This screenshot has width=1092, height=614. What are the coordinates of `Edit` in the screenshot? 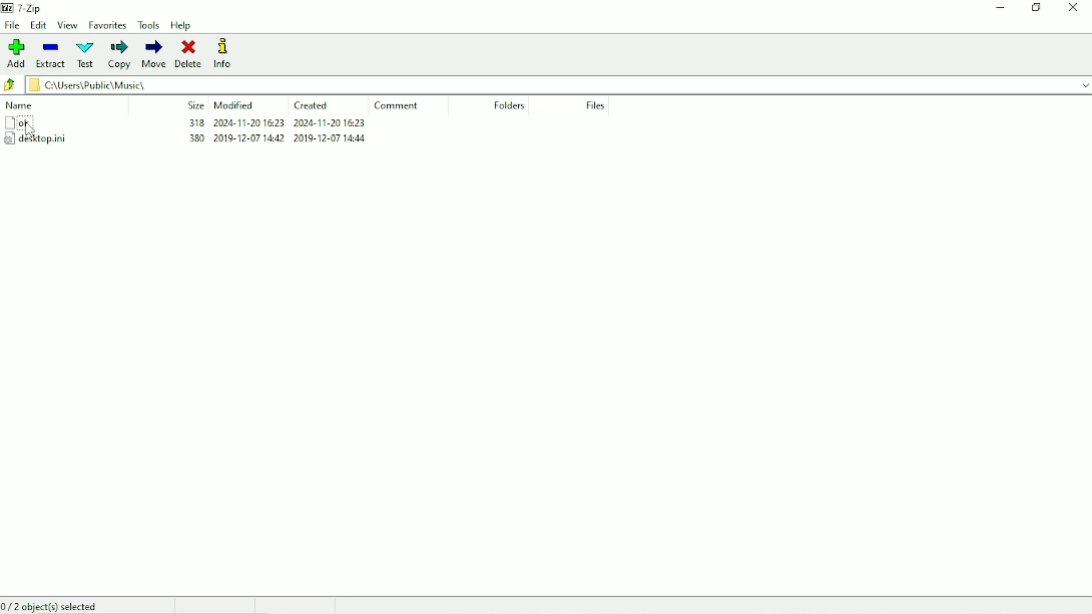 It's located at (38, 26).